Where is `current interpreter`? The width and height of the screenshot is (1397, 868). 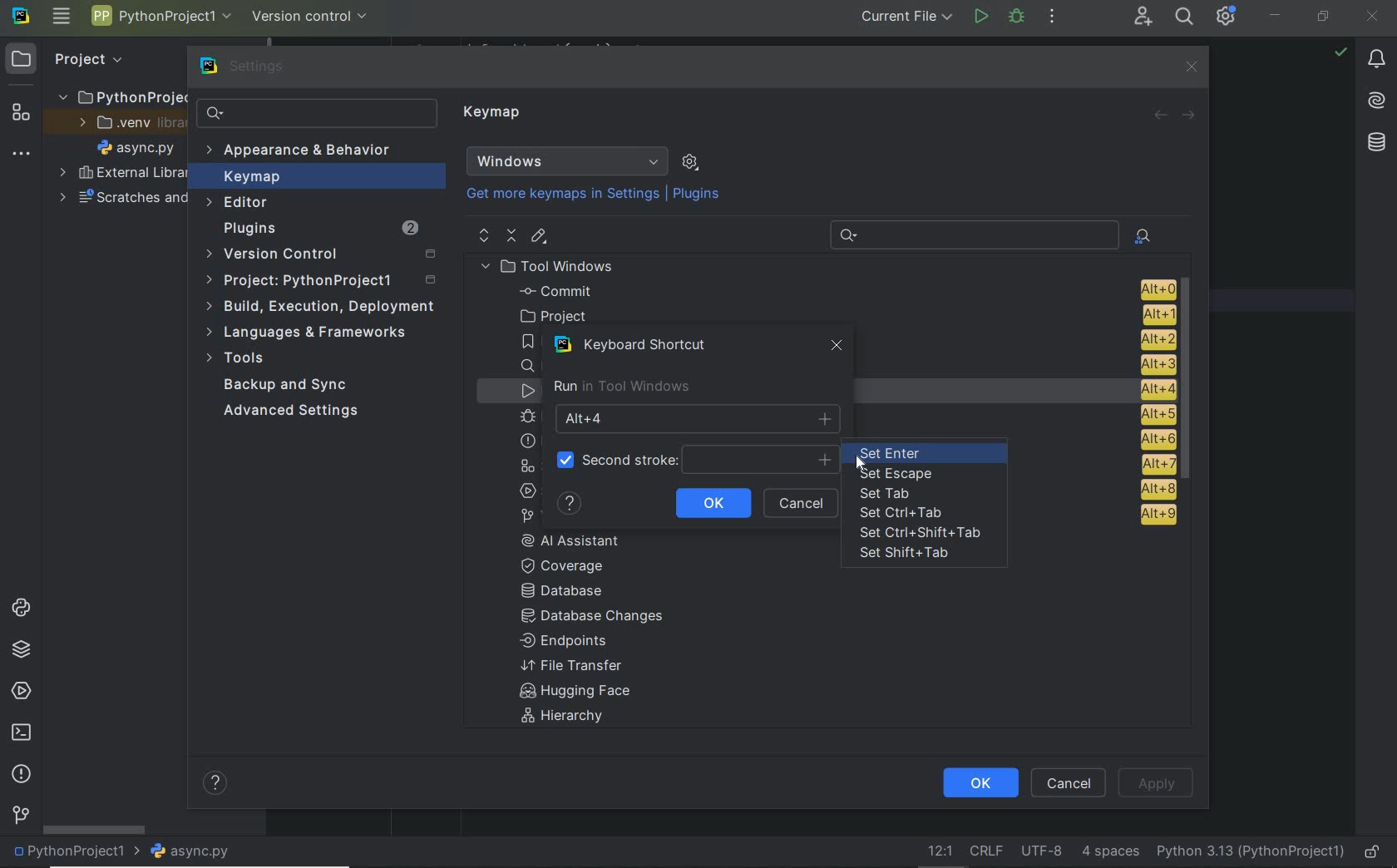 current interpreter is located at coordinates (1251, 853).